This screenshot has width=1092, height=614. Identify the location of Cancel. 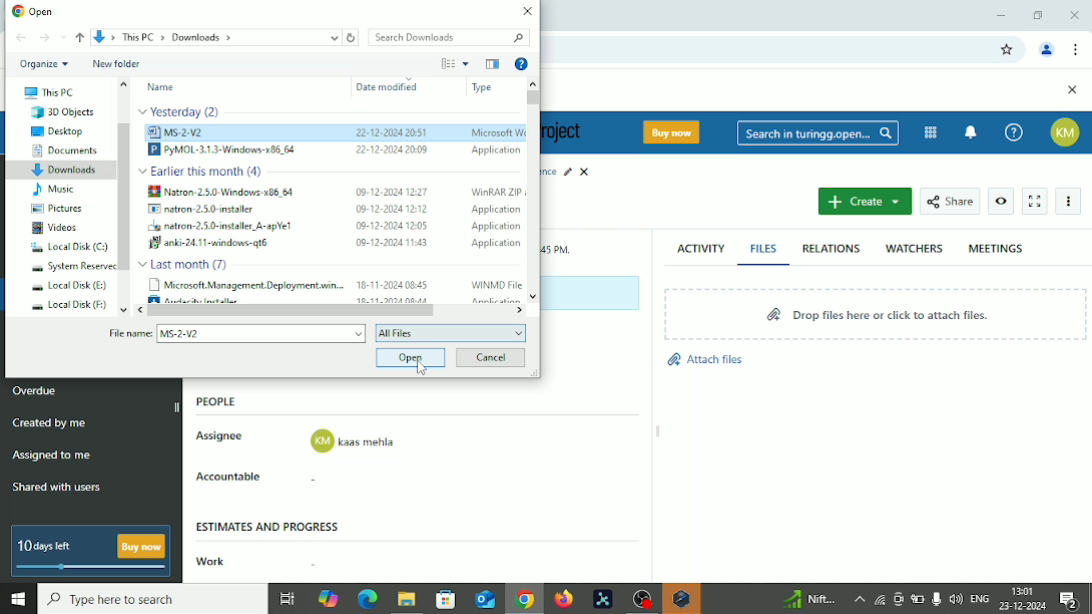
(492, 358).